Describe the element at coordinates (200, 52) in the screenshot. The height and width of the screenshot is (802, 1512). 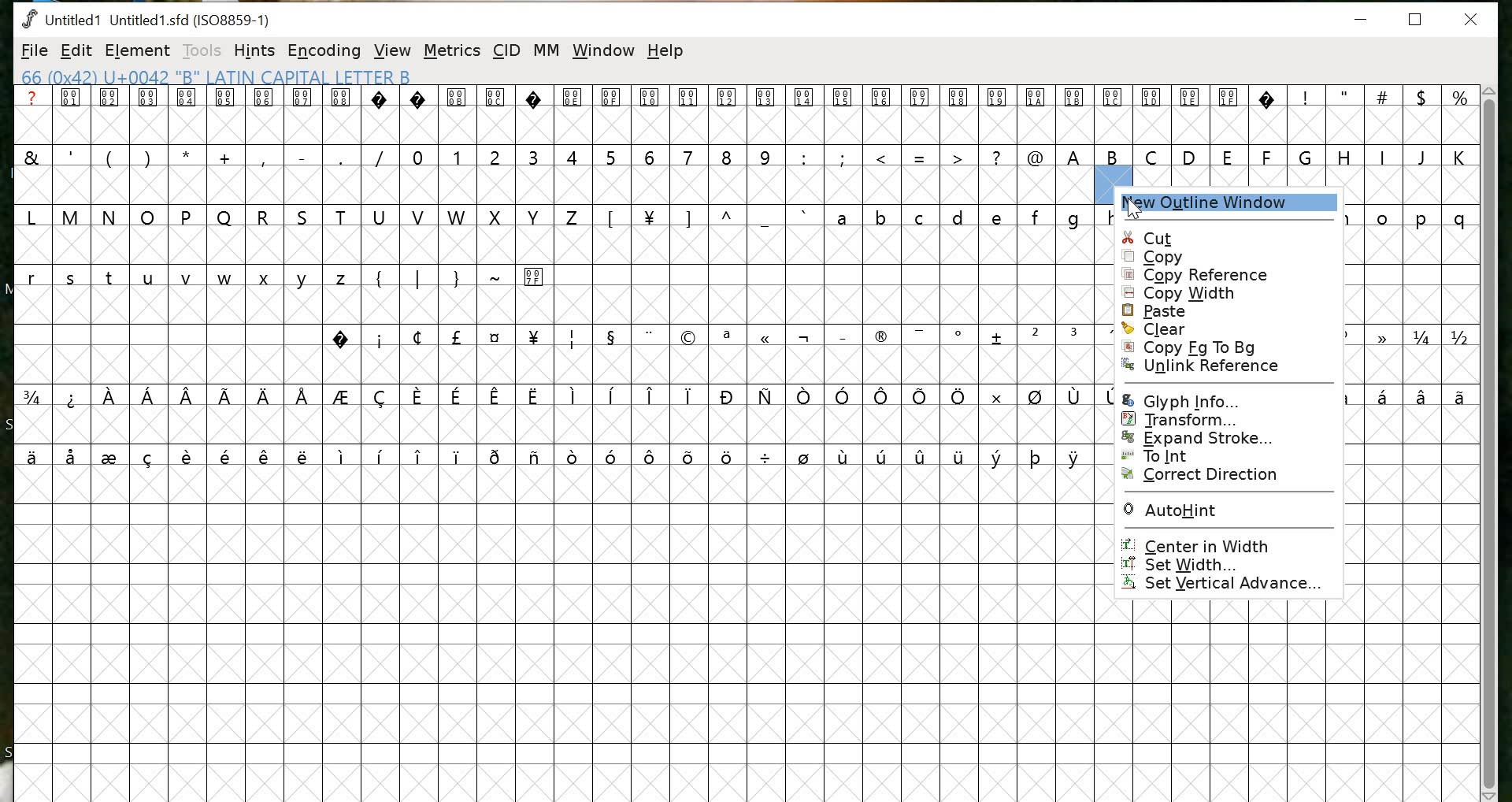
I see `TOOLS` at that location.